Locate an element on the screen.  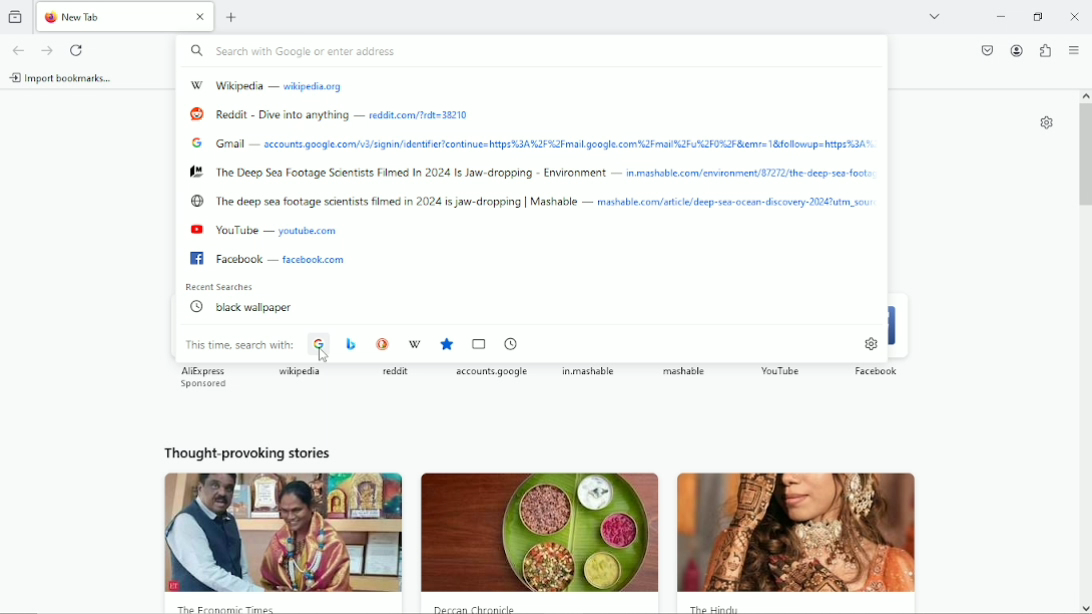
reddit-dive into anything is located at coordinates (288, 114).